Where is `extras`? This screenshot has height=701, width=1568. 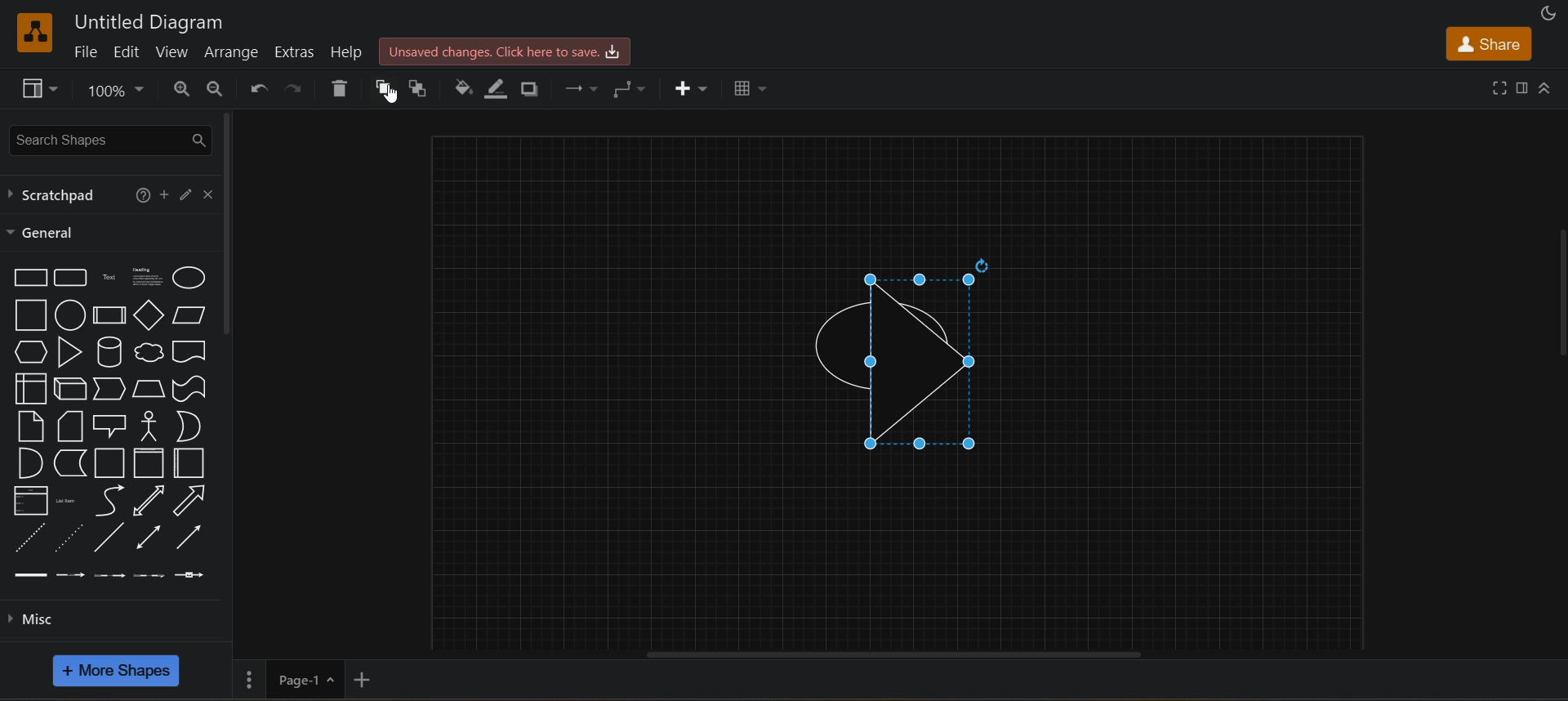 extras is located at coordinates (294, 50).